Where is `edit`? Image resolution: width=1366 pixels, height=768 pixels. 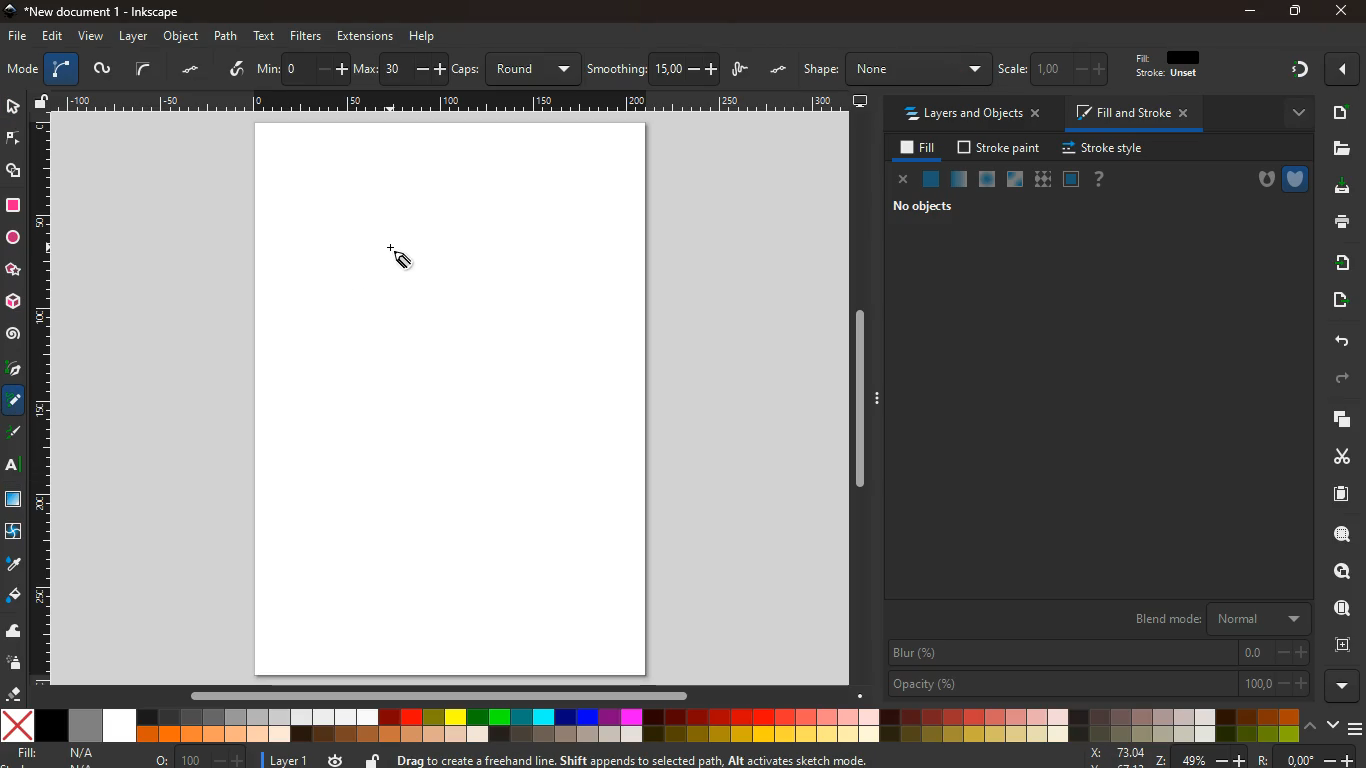
edit is located at coordinates (54, 36).